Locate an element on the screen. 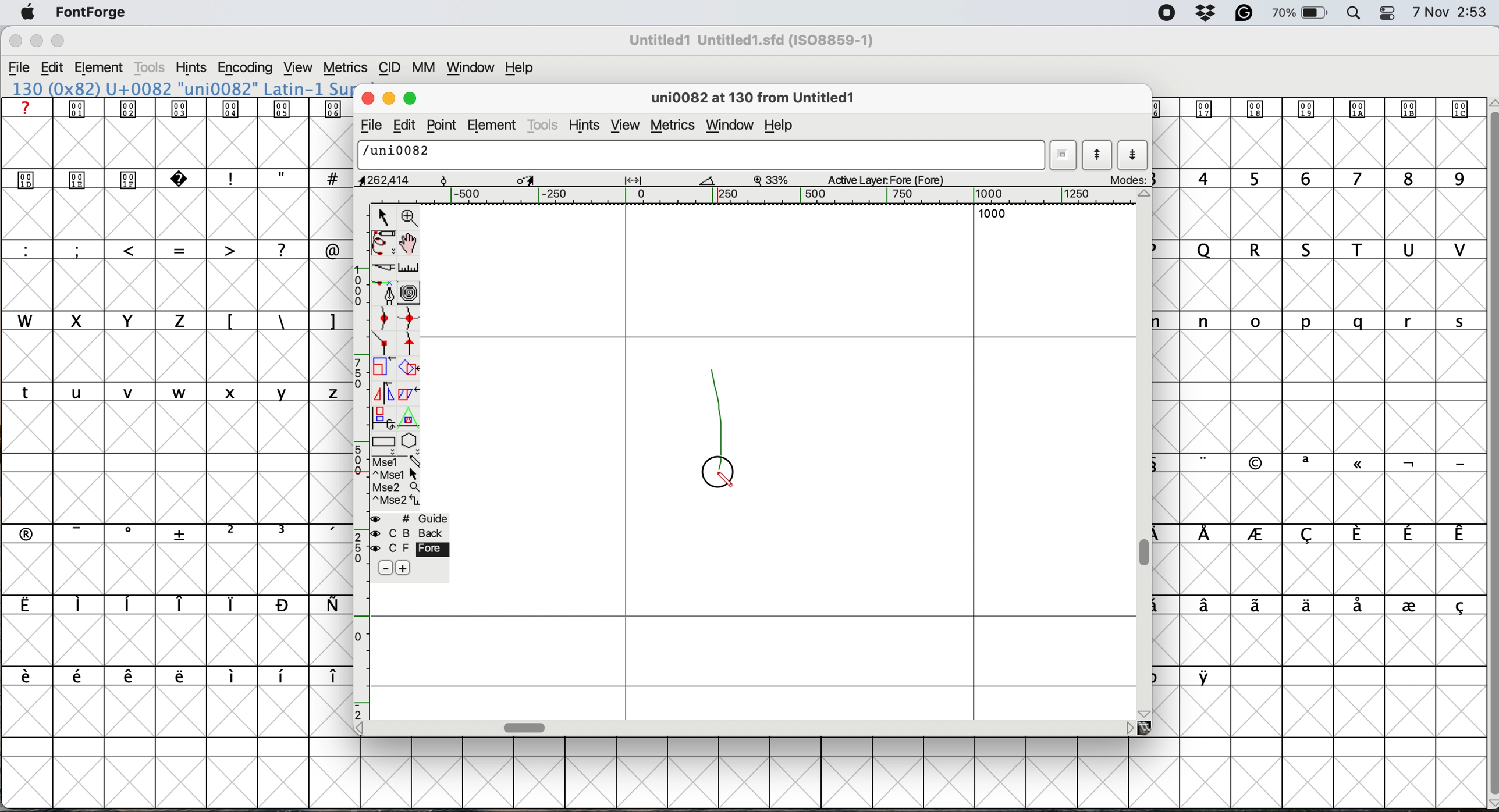 The height and width of the screenshot is (812, 1499). element is located at coordinates (493, 126).